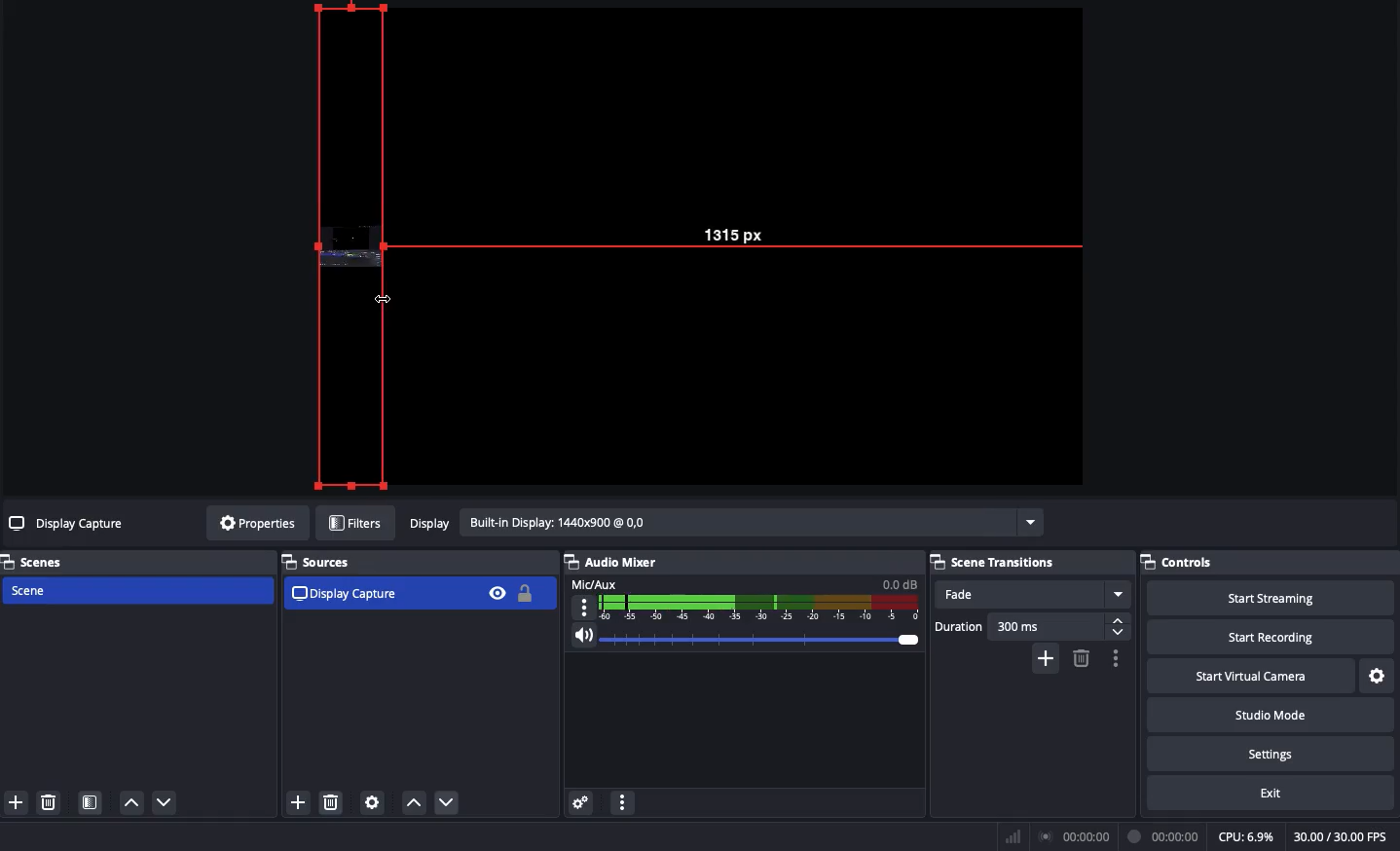 This screenshot has width=1400, height=851. What do you see at coordinates (15, 803) in the screenshot?
I see `Add` at bounding box center [15, 803].